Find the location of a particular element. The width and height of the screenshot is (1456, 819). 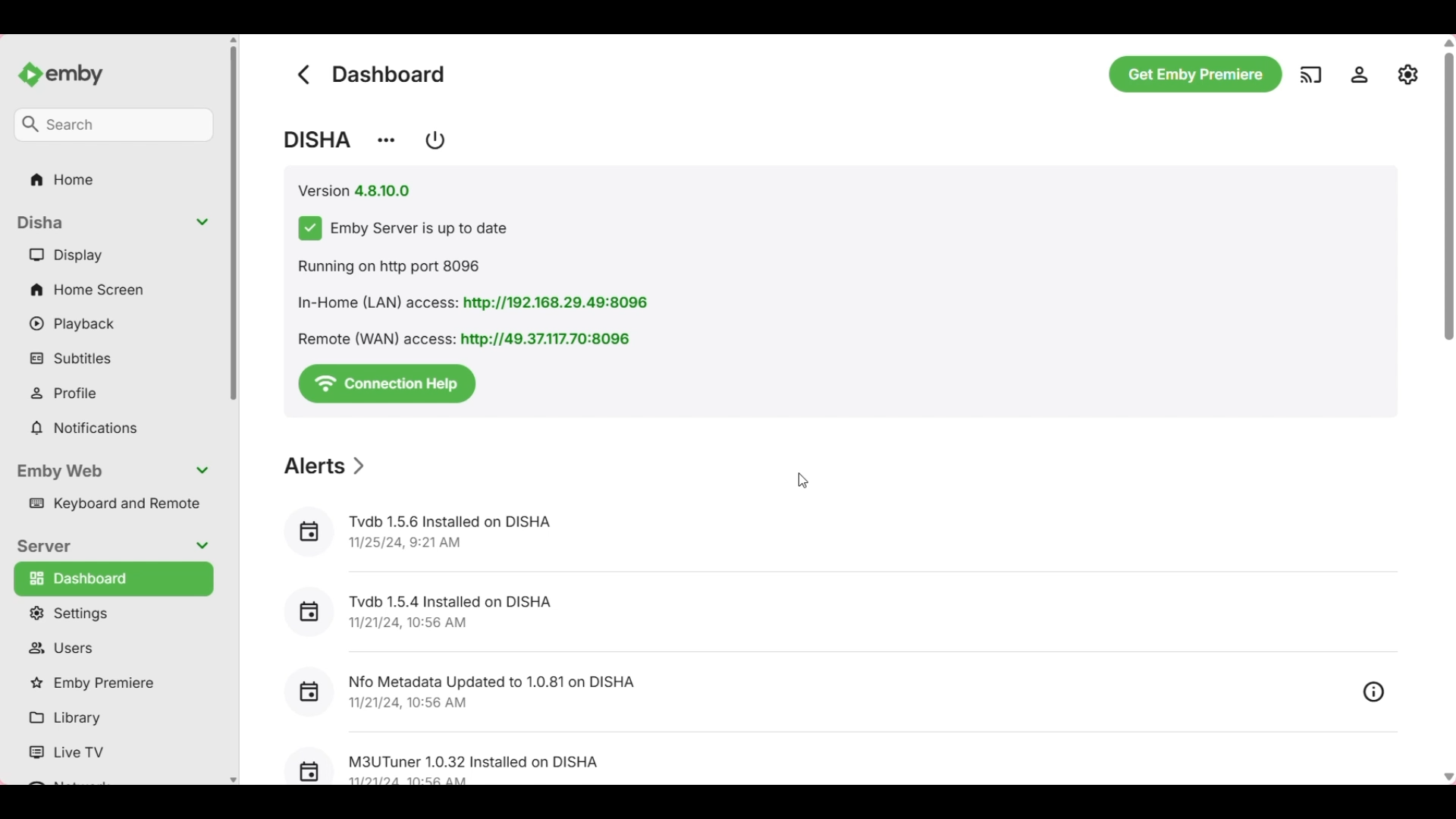

Title of current page  is located at coordinates (389, 74).